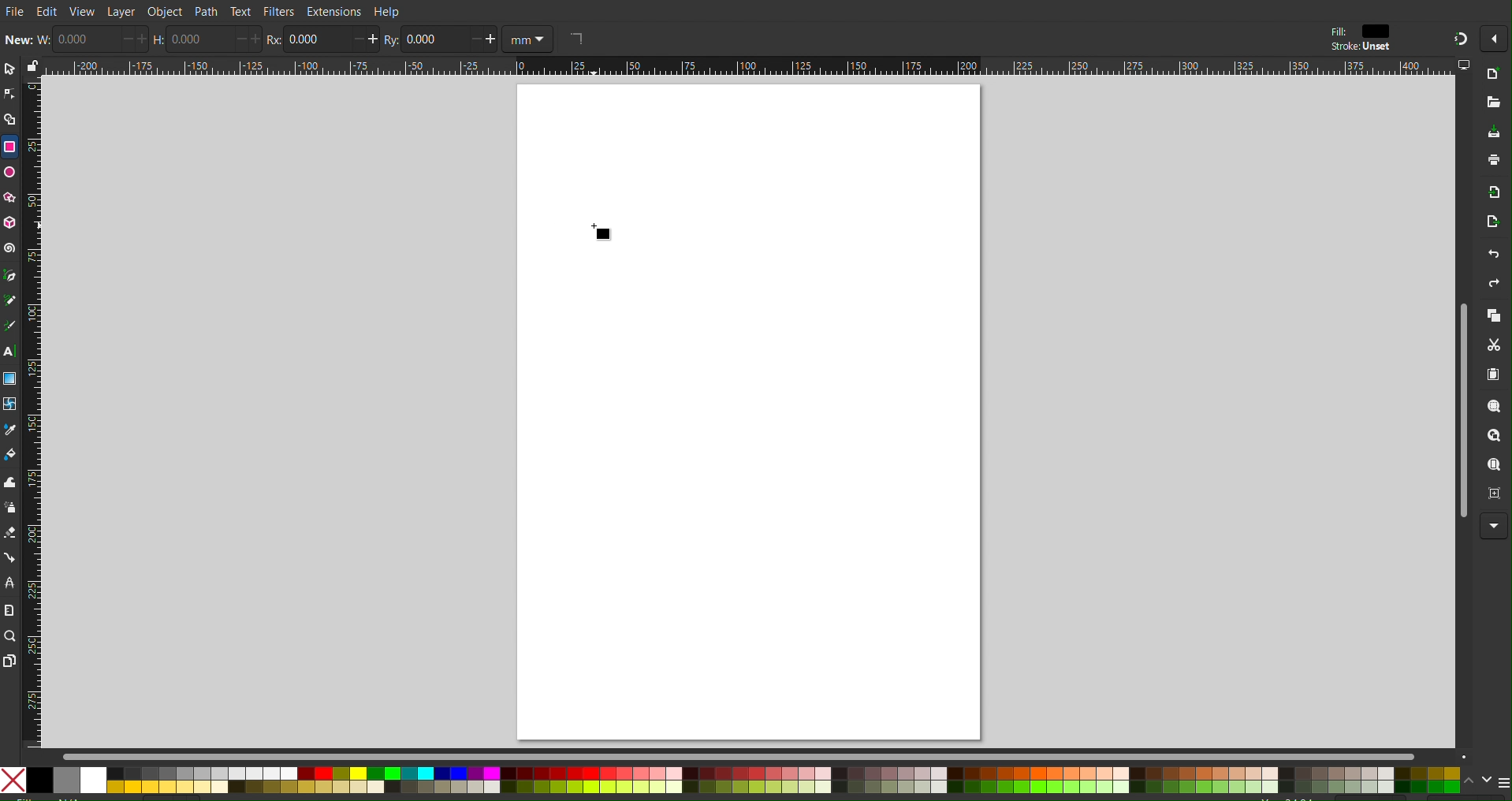  I want to click on Pen Tool, so click(9, 274).